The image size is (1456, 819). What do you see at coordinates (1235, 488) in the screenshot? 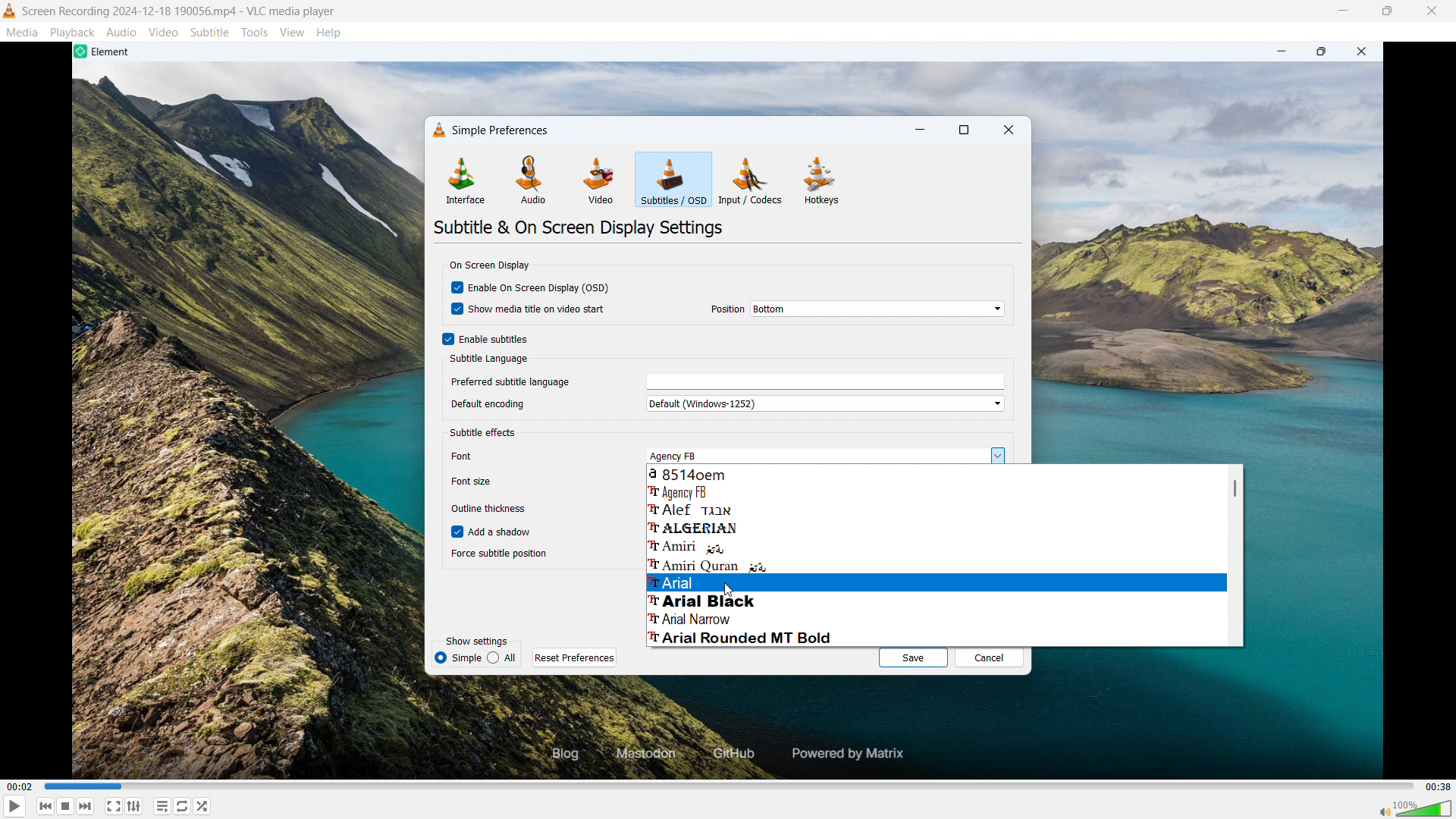
I see `scrollbar` at bounding box center [1235, 488].